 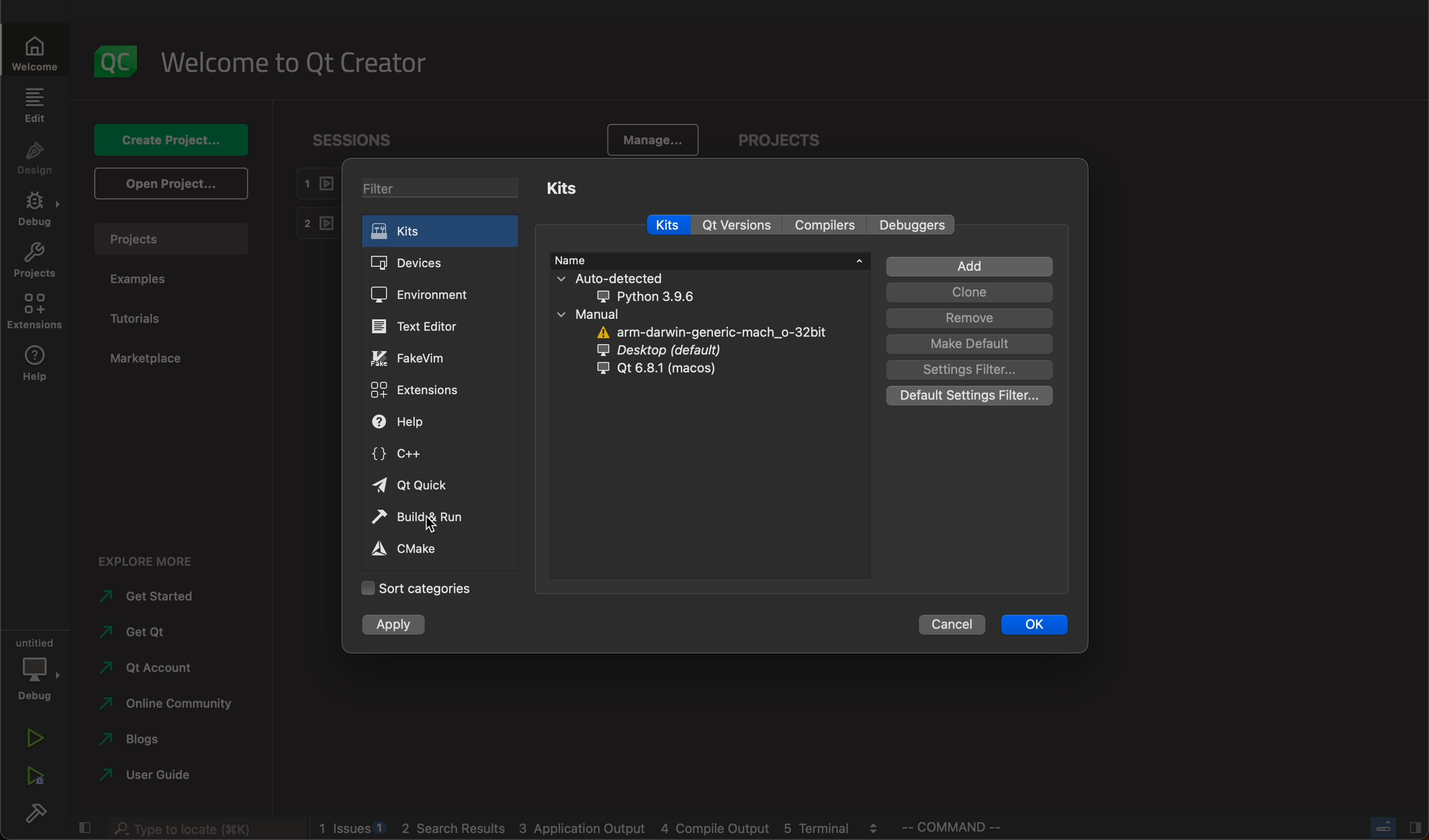 What do you see at coordinates (829, 225) in the screenshot?
I see `compilers` at bounding box center [829, 225].